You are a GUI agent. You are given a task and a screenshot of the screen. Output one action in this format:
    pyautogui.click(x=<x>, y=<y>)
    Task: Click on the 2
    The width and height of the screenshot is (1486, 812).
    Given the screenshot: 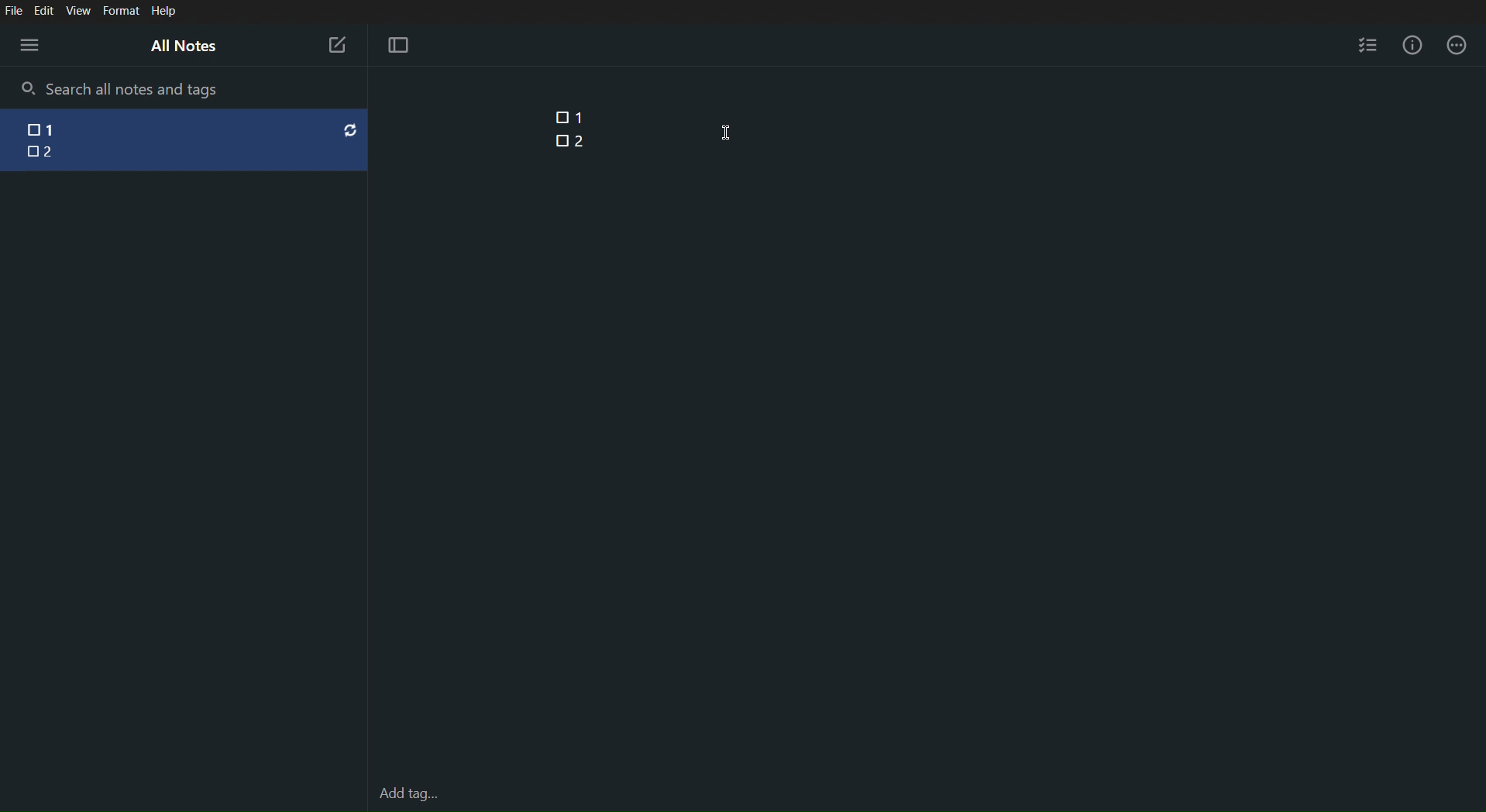 What is the action you would take?
    pyautogui.click(x=580, y=139)
    